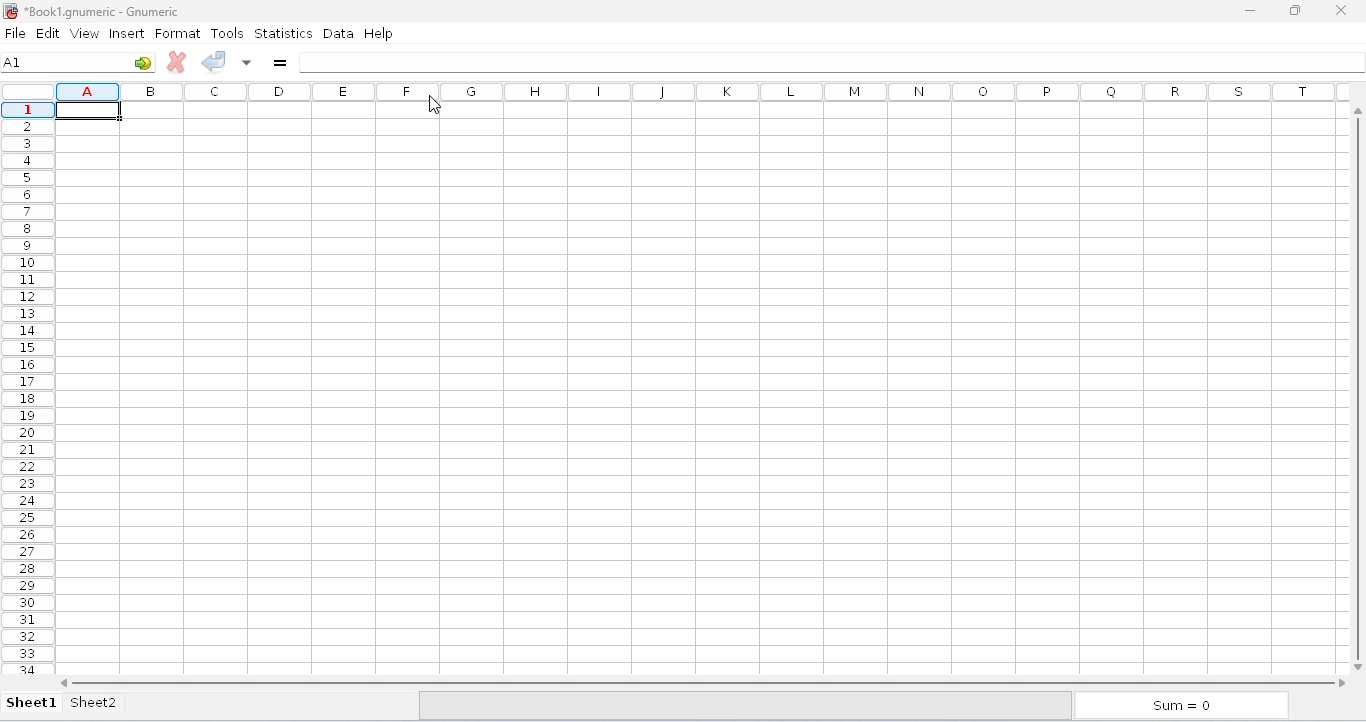  I want to click on go to, so click(142, 63).